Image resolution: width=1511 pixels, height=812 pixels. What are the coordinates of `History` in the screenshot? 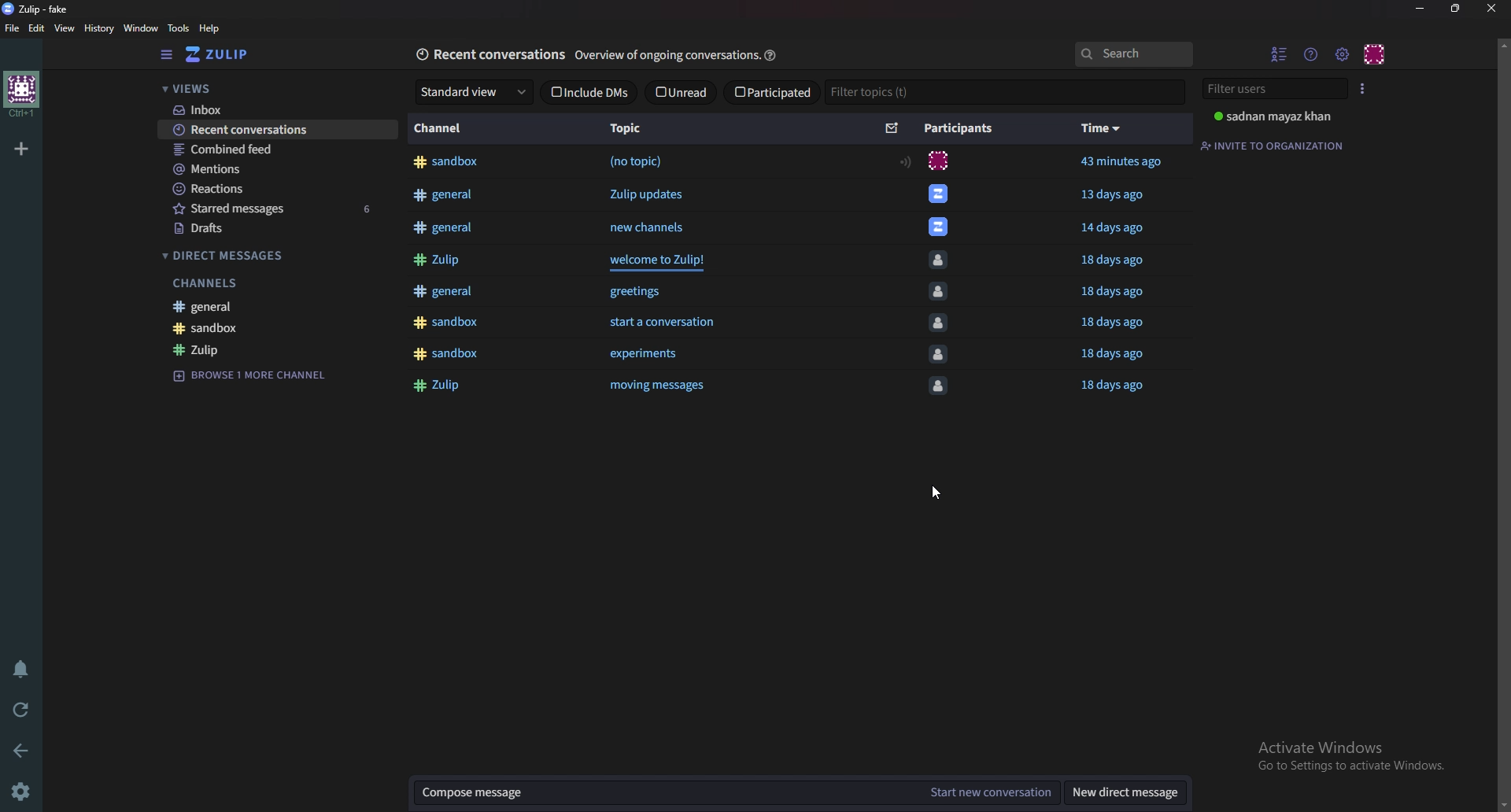 It's located at (101, 28).